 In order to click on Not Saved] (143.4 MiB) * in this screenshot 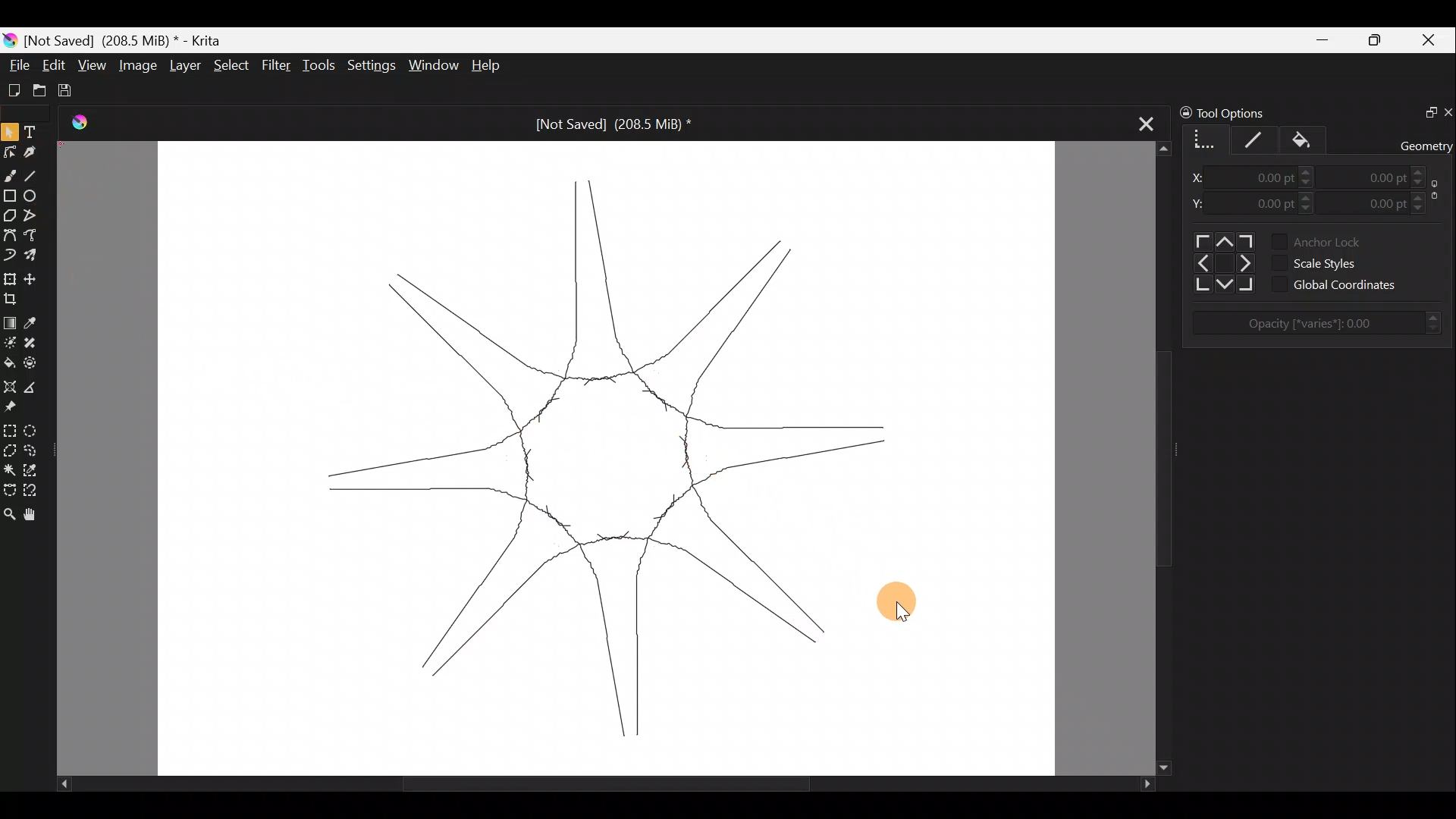, I will do `click(129, 39)`.